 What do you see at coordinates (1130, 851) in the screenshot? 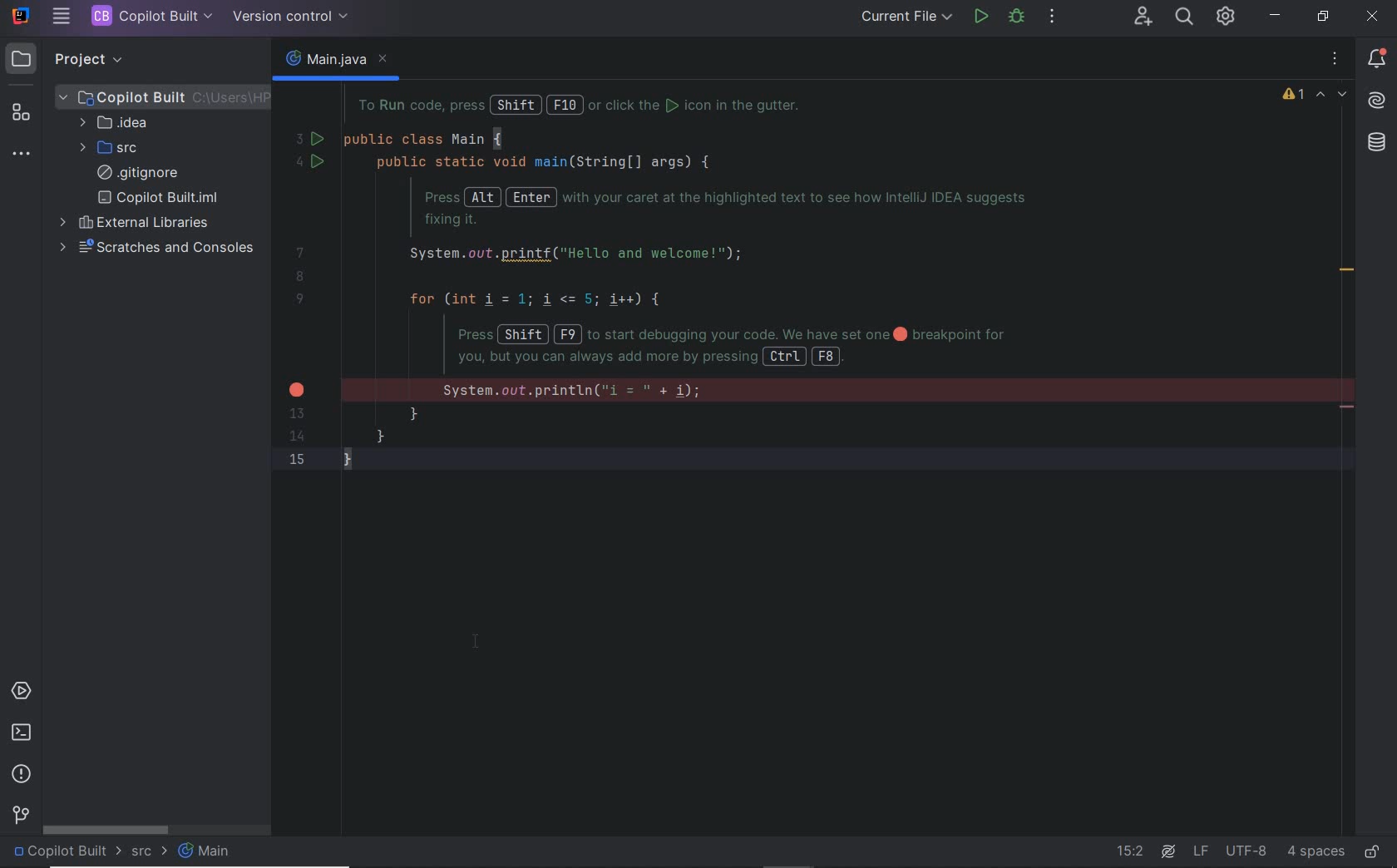
I see `go to line` at bounding box center [1130, 851].